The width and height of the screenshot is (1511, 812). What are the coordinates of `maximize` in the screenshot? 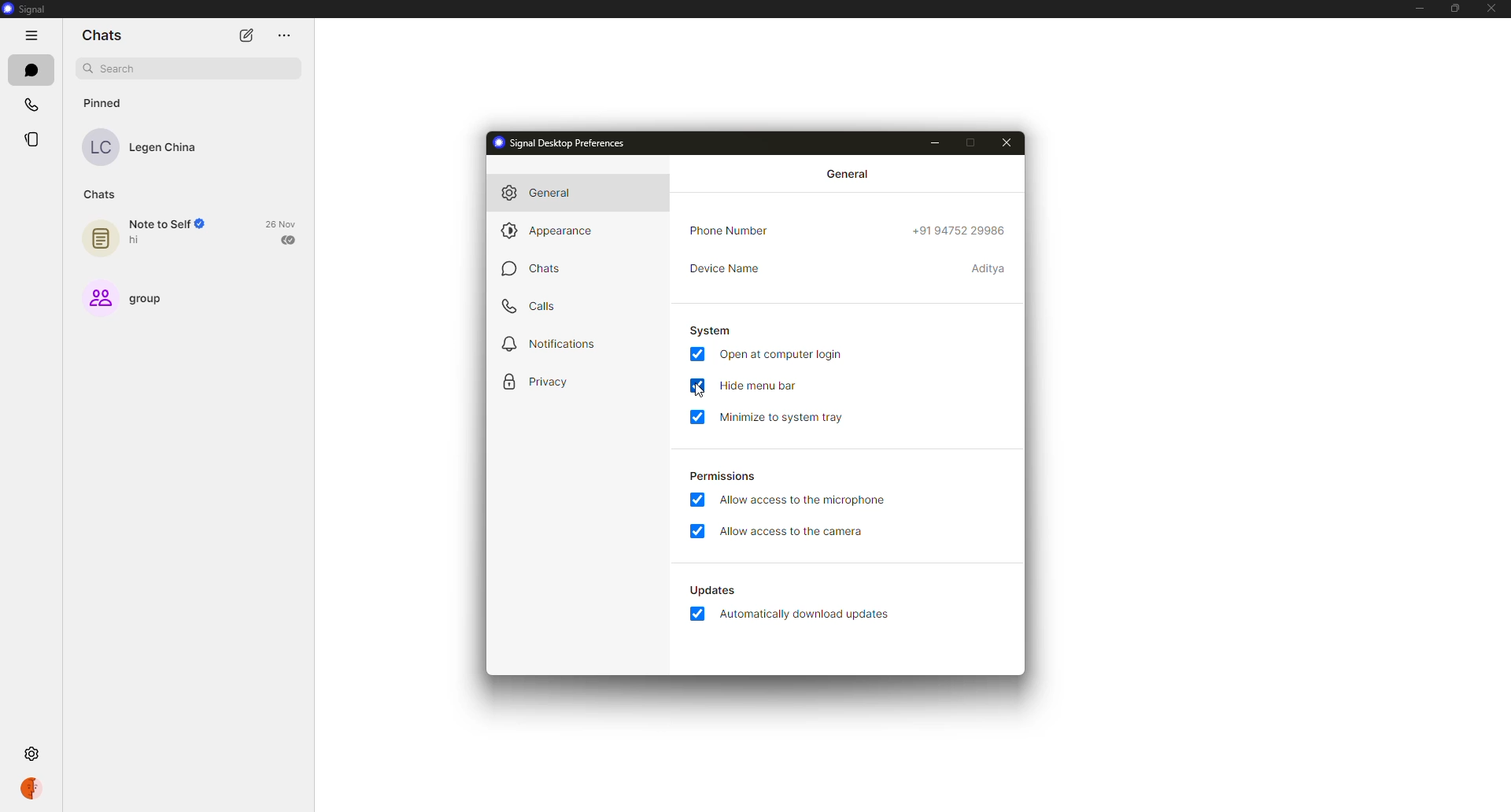 It's located at (970, 142).